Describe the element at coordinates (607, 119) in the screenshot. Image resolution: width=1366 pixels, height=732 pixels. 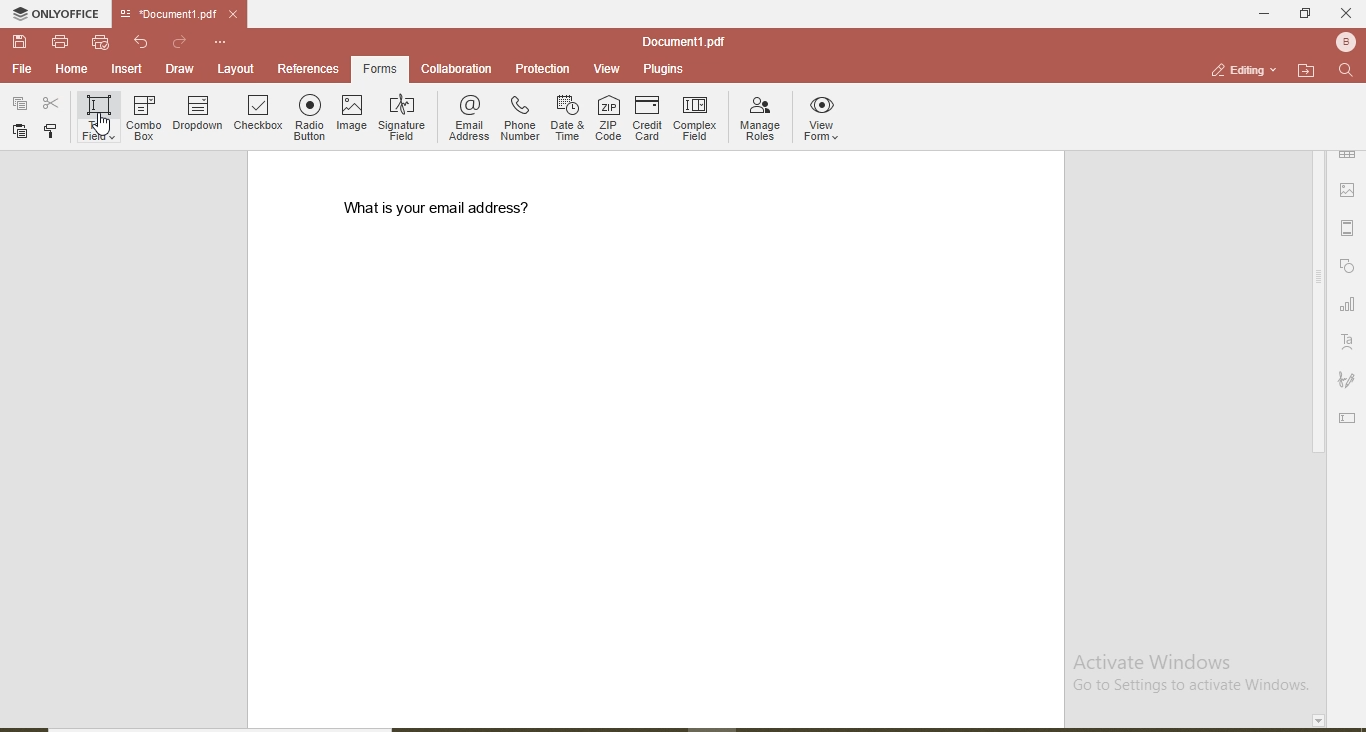
I see `ZIP code` at that location.